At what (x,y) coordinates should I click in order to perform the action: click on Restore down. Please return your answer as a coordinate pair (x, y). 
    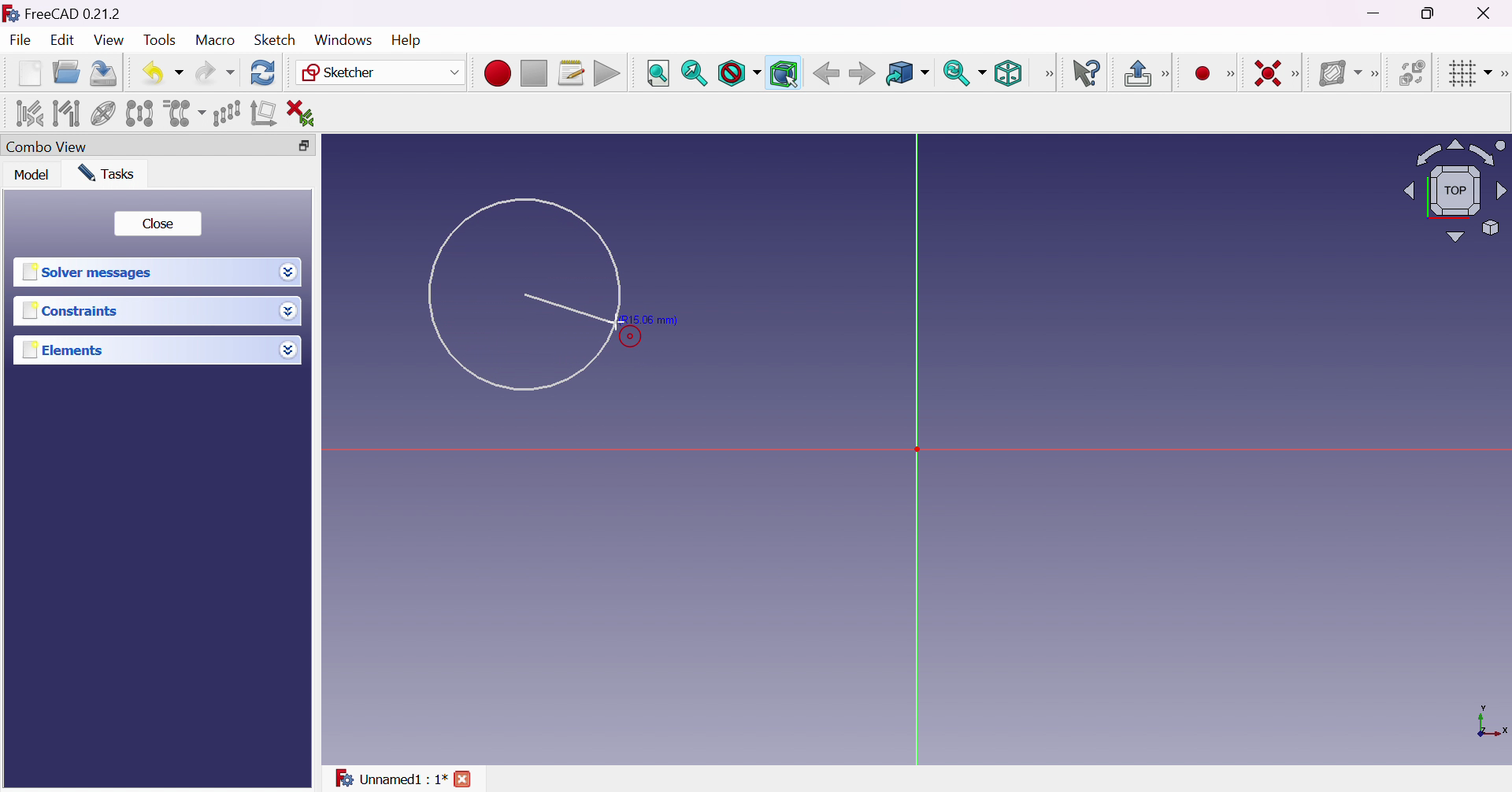
    Looking at the image, I should click on (299, 146).